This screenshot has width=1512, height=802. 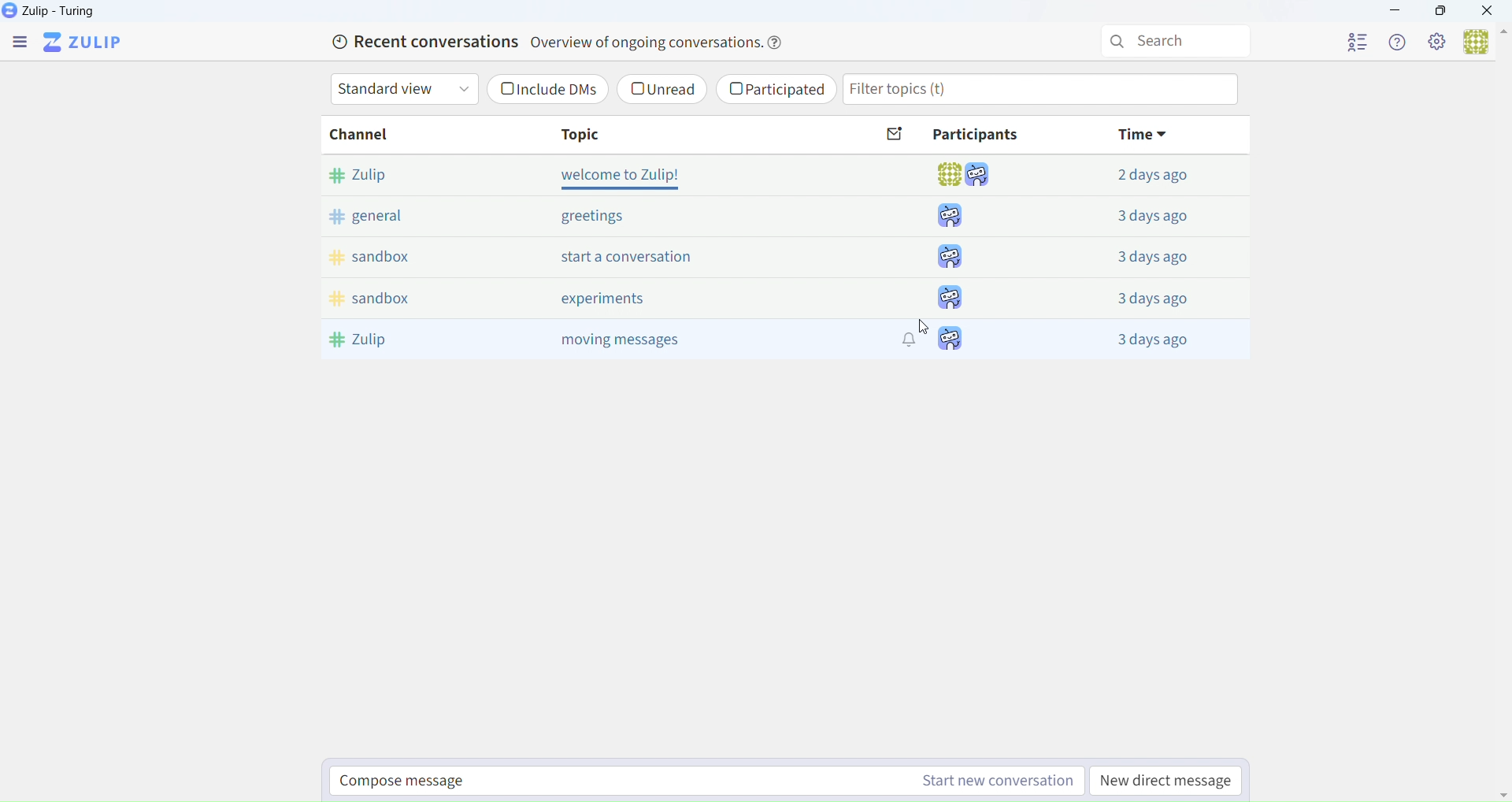 What do you see at coordinates (1175, 41) in the screenshot?
I see `Search` at bounding box center [1175, 41].